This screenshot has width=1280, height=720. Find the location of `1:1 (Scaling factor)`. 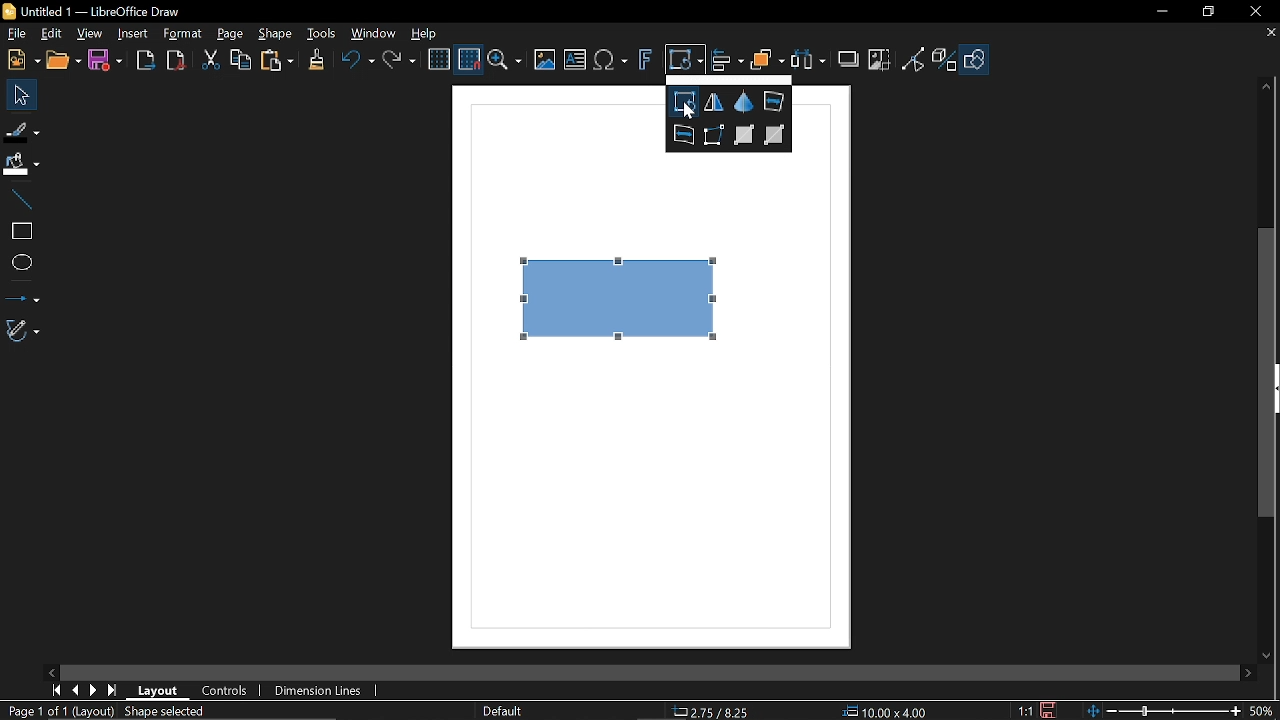

1:1 (Scaling factor) is located at coordinates (1025, 711).